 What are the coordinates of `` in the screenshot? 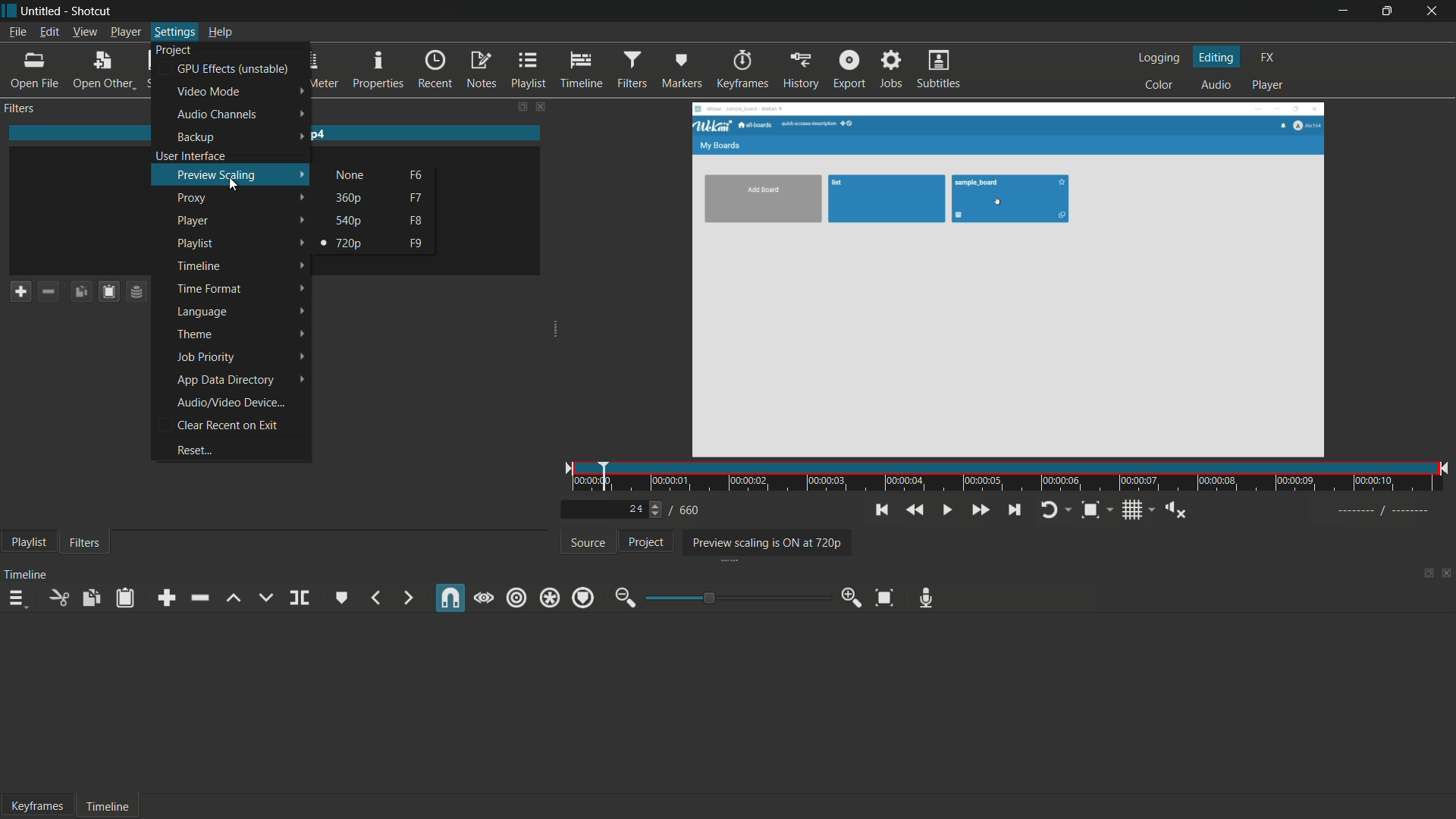 It's located at (1177, 513).